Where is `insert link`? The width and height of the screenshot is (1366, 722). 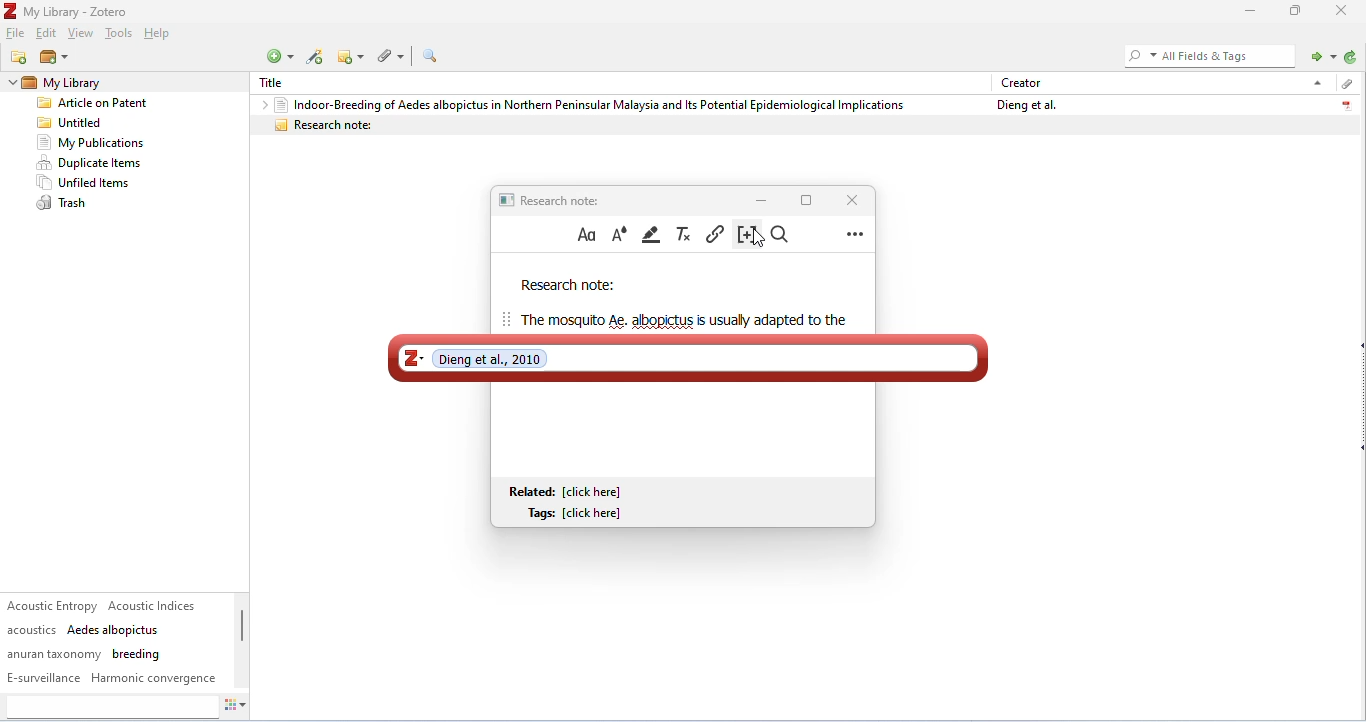 insert link is located at coordinates (715, 233).